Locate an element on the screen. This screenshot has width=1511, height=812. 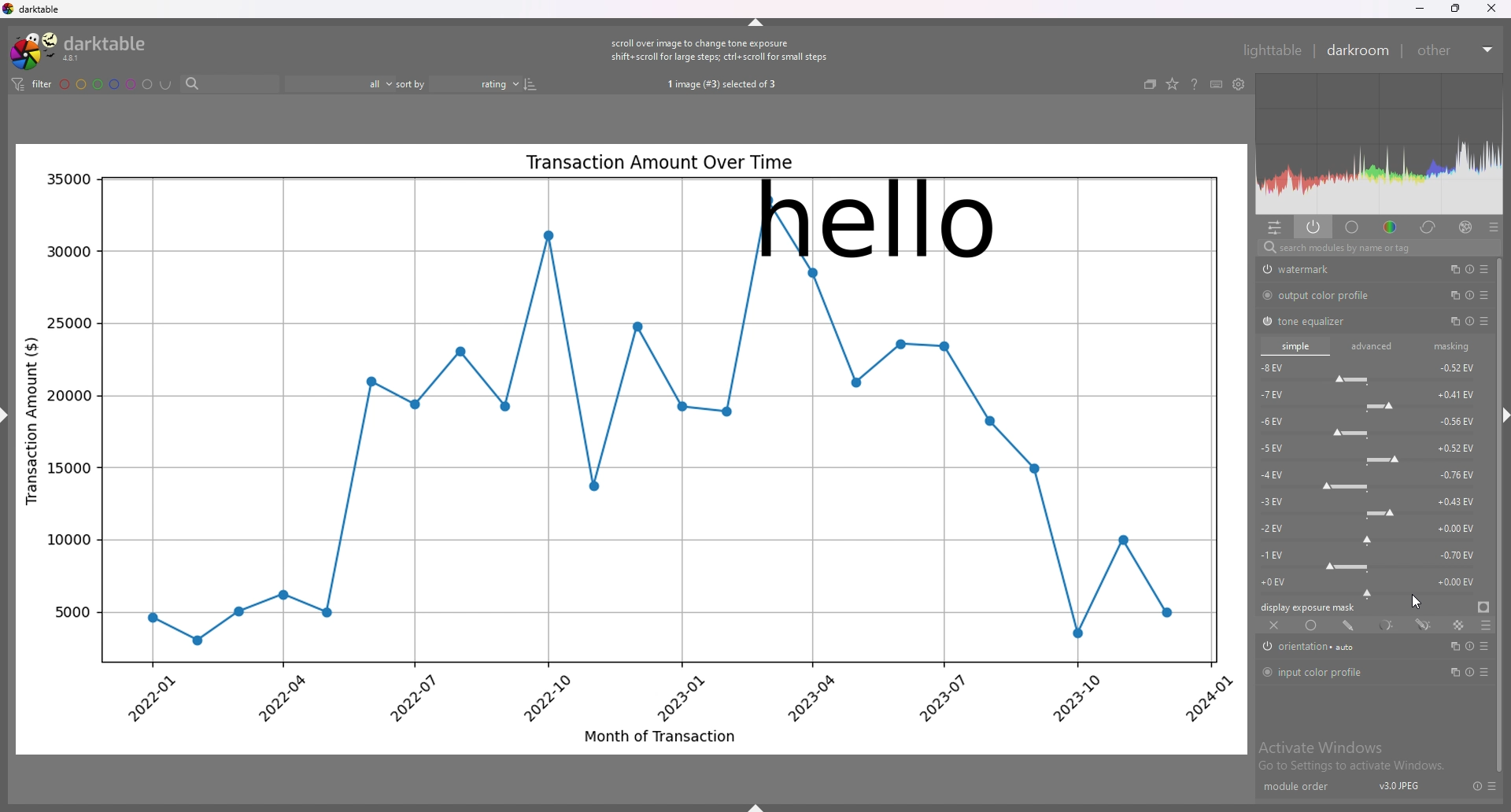
correct is located at coordinates (1429, 227).